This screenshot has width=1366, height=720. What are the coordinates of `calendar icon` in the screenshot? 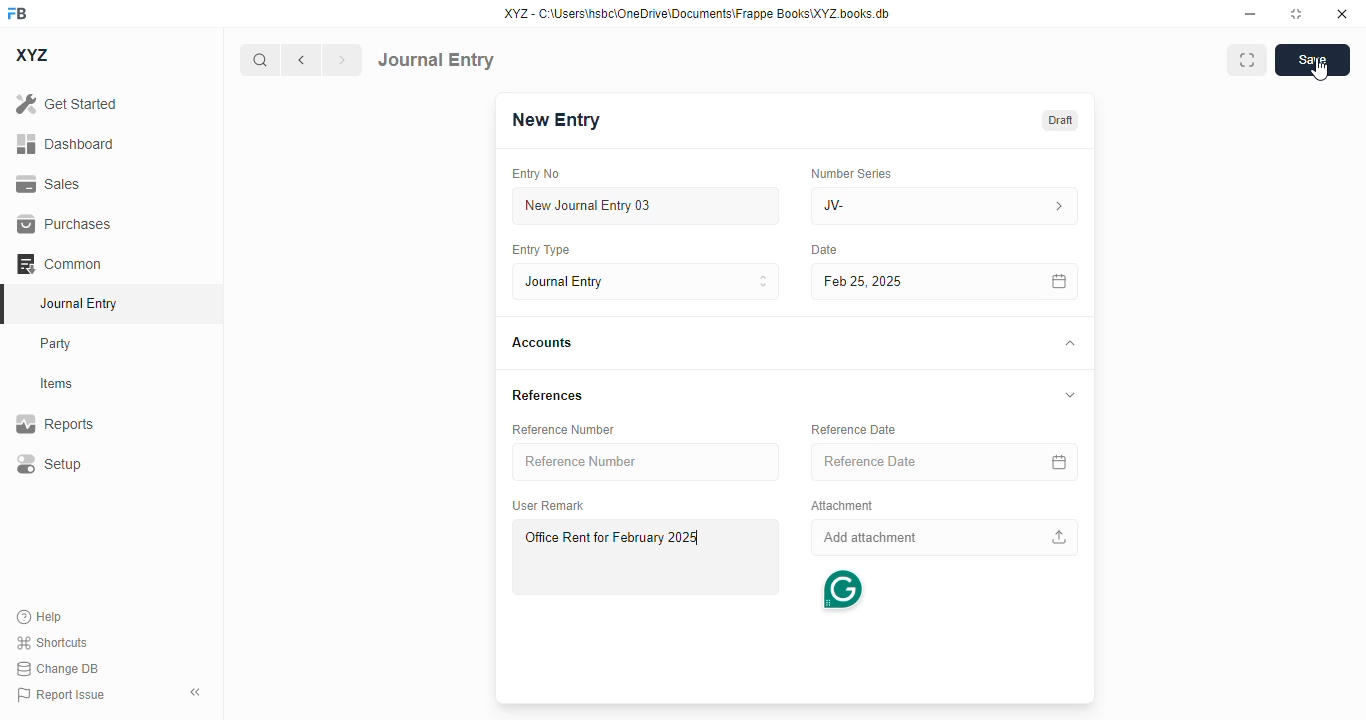 It's located at (1060, 463).